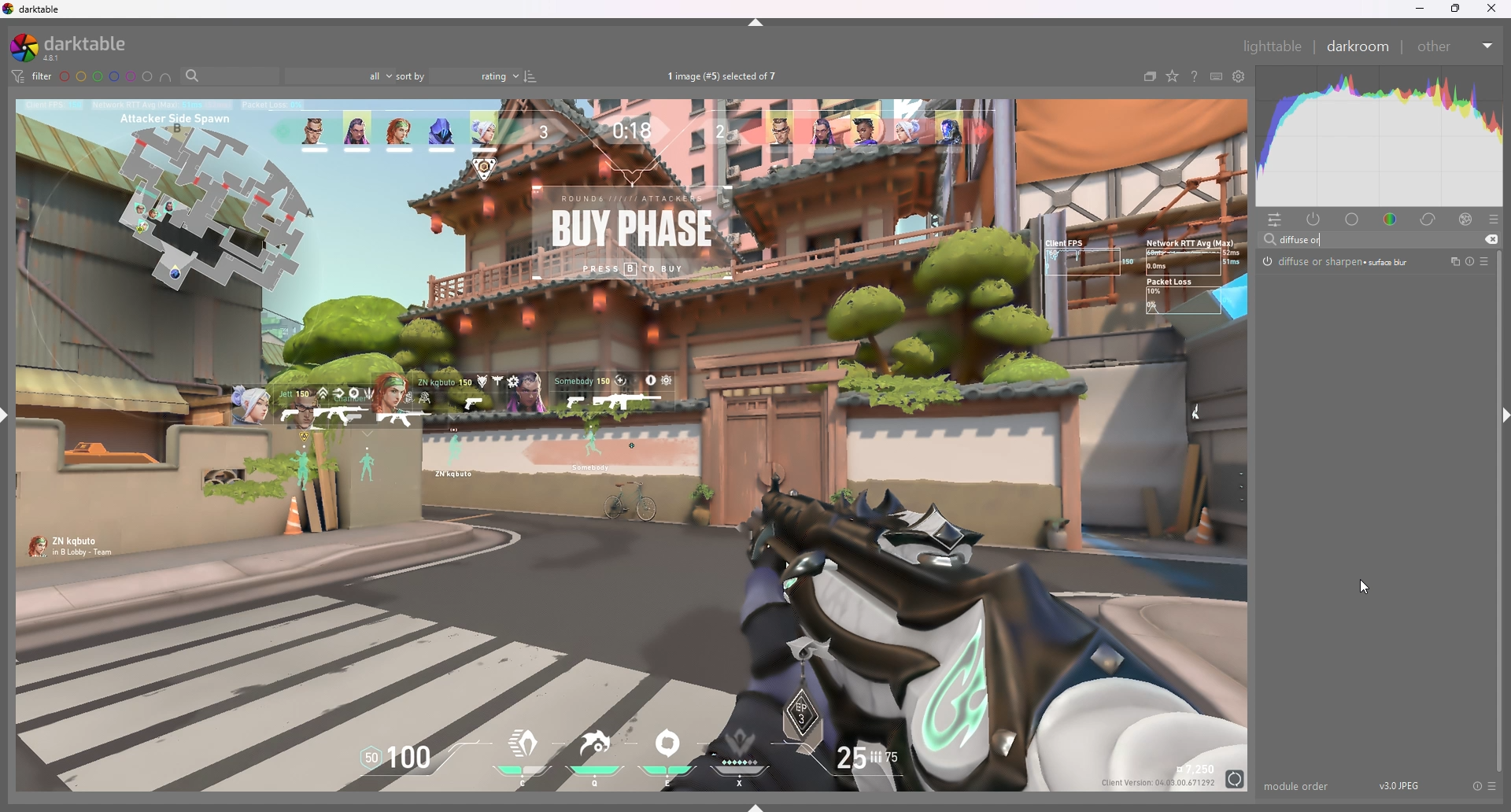 Image resolution: width=1511 pixels, height=812 pixels. What do you see at coordinates (1353, 219) in the screenshot?
I see `base` at bounding box center [1353, 219].